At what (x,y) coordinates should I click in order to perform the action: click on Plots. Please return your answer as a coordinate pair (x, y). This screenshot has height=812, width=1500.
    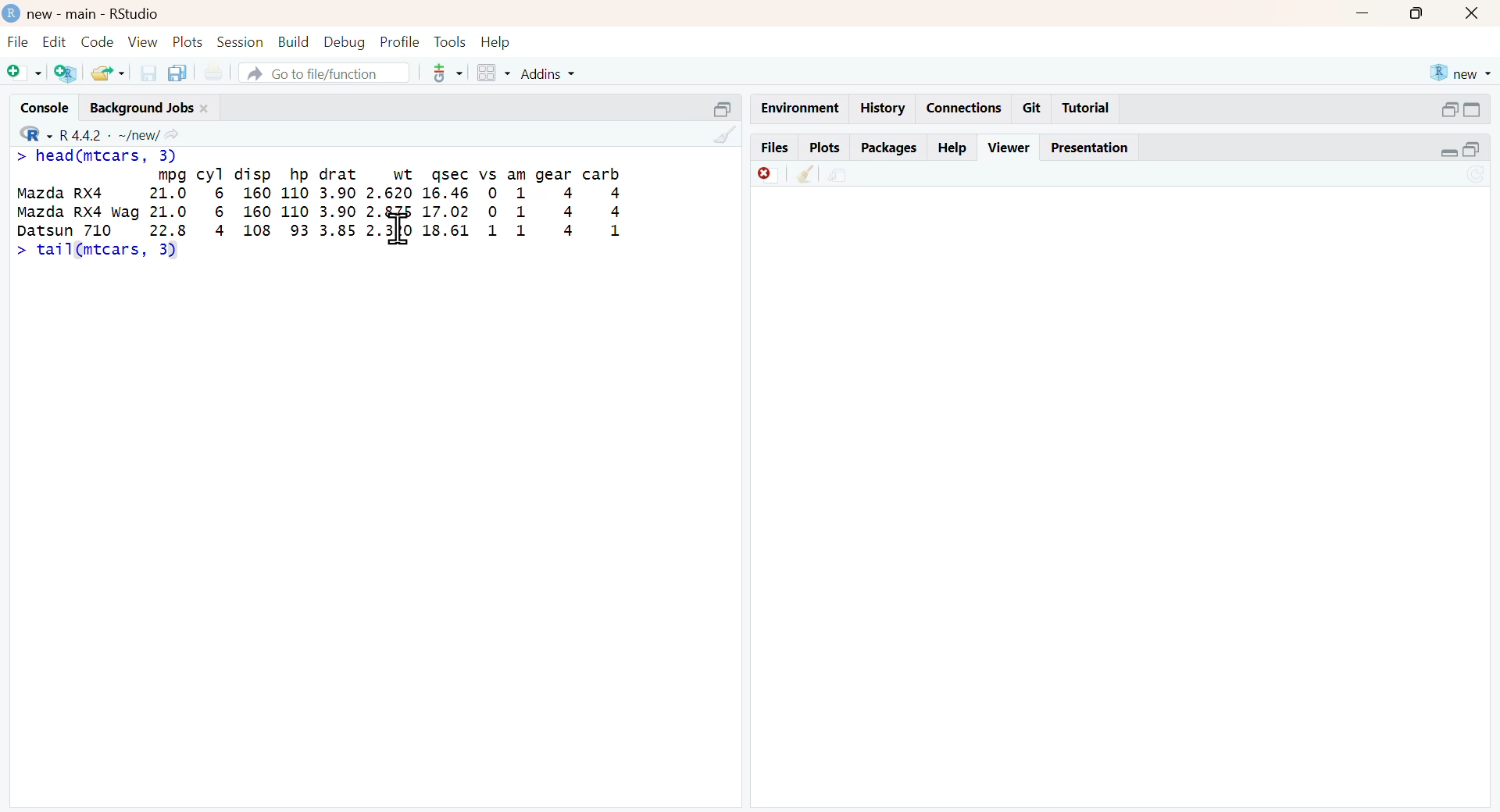
    Looking at the image, I should click on (186, 40).